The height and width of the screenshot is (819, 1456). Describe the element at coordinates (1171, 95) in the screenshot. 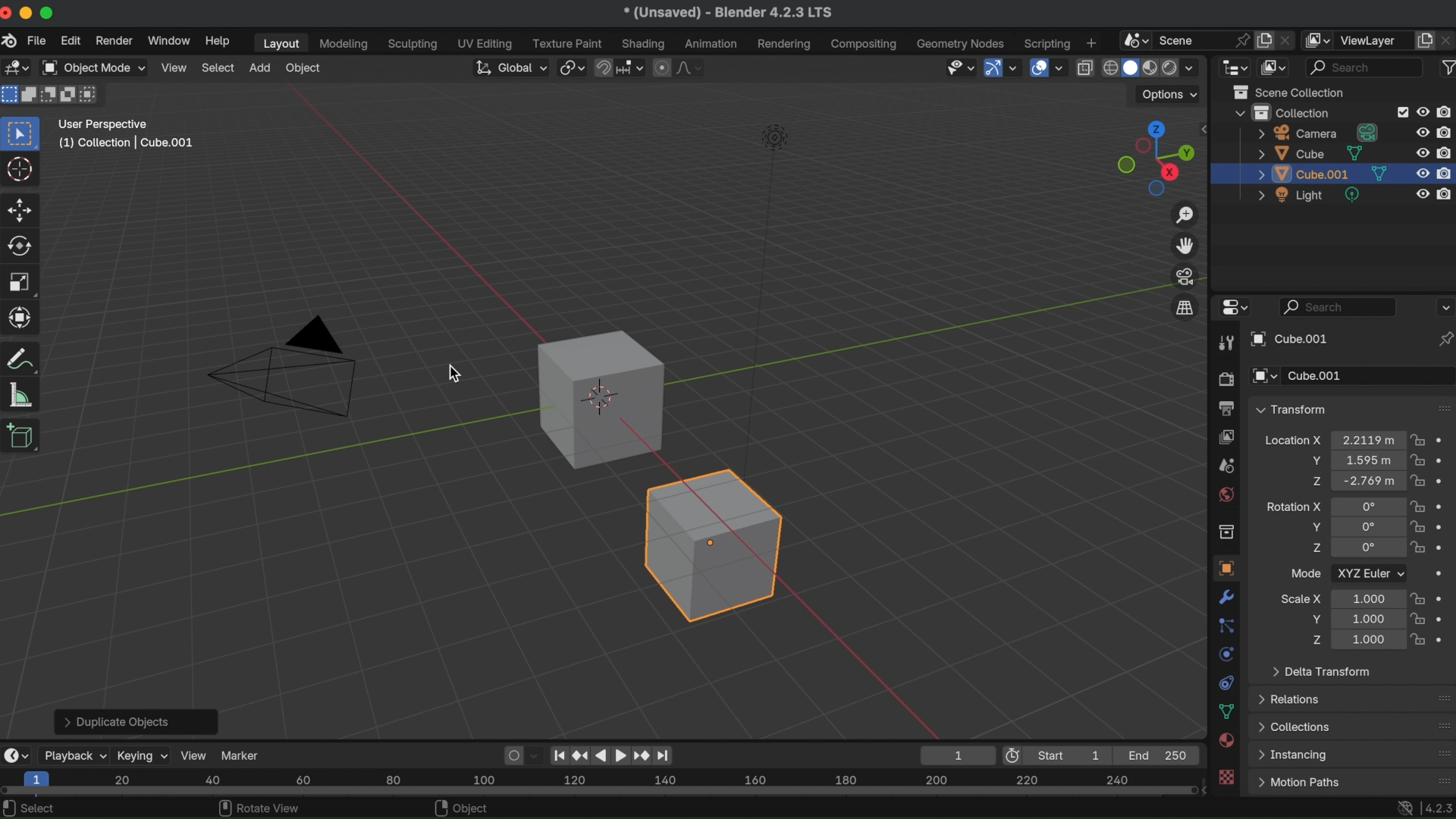

I see `options` at that location.